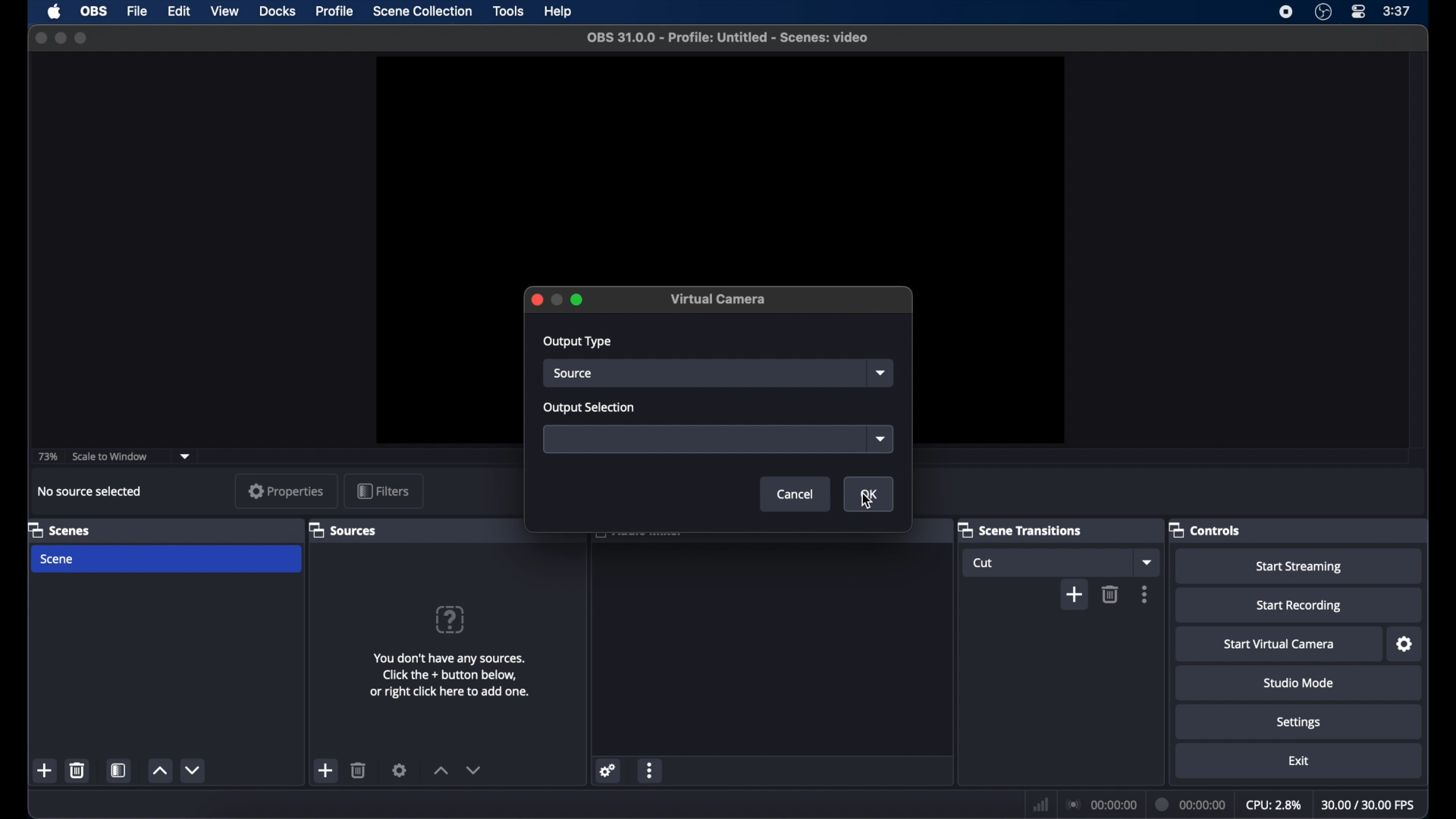  Describe the element at coordinates (1298, 567) in the screenshot. I see `start streaming` at that location.